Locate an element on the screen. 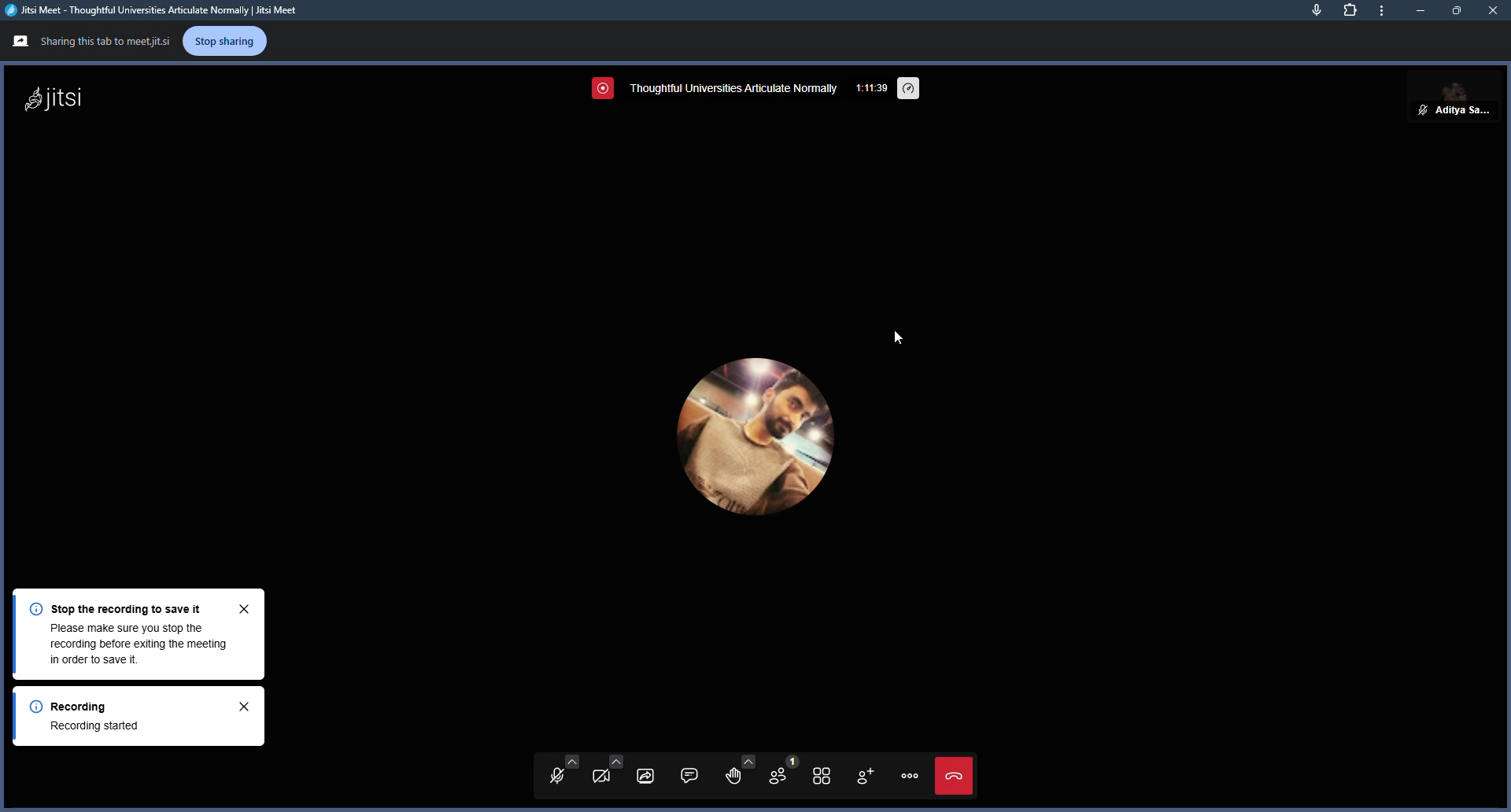 This screenshot has width=1511, height=812. Stop the recording to save itPlease make sure you stop therecording before exiting the meeting in order to save it is located at coordinates (141, 636).